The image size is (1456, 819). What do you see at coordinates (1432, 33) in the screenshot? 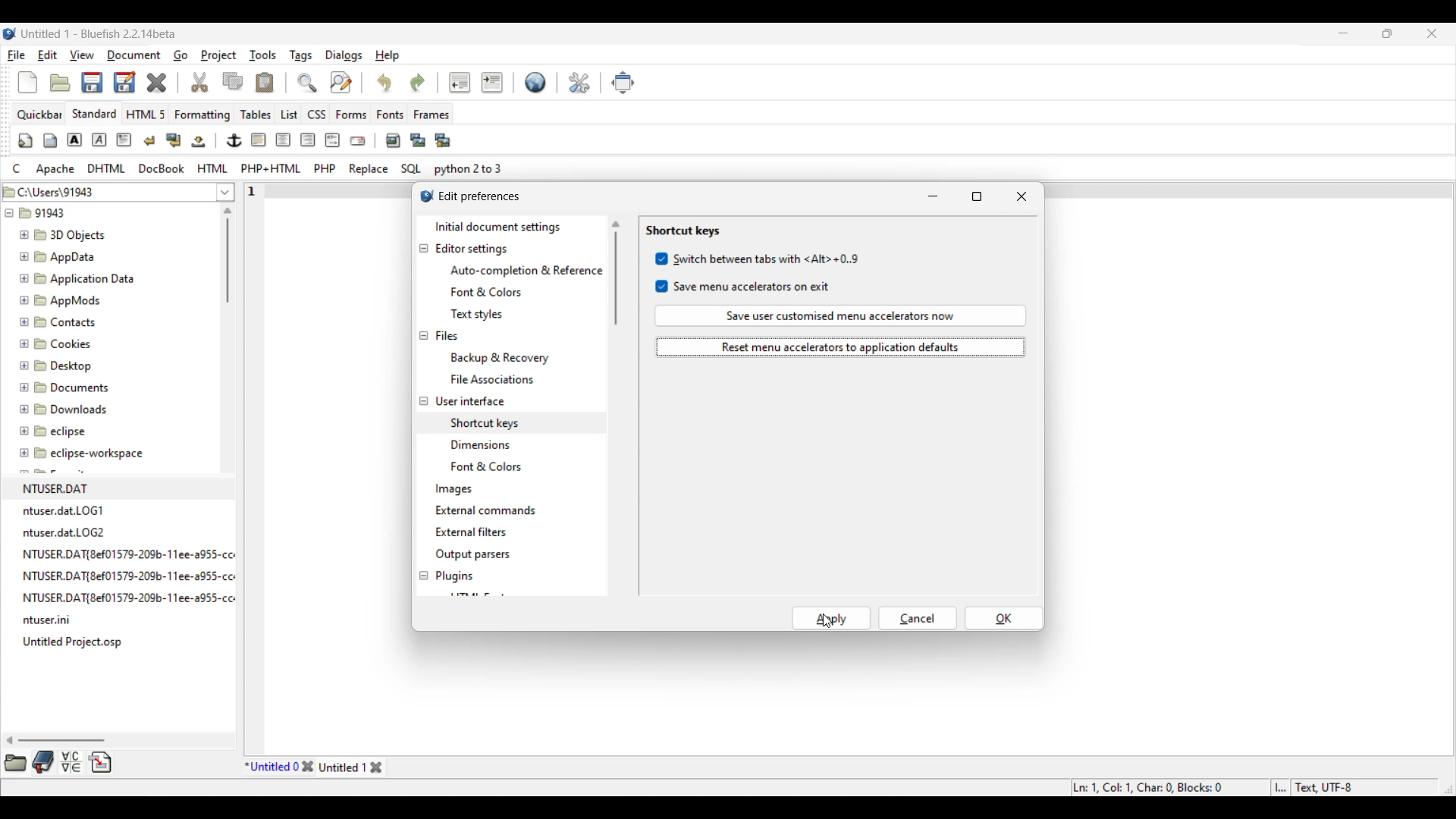
I see `Close interface` at bounding box center [1432, 33].